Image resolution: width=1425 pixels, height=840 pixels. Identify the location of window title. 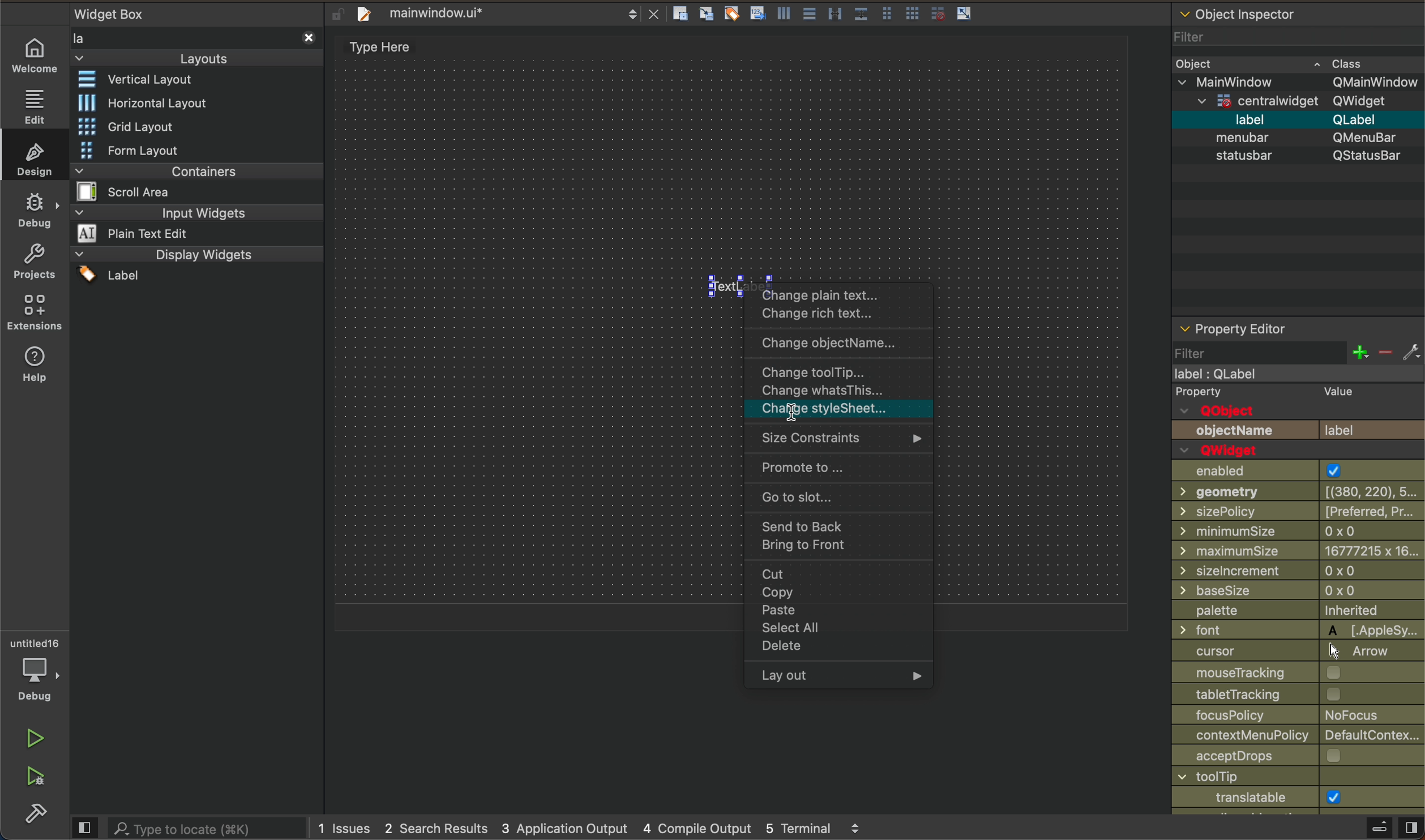
(1286, 778).